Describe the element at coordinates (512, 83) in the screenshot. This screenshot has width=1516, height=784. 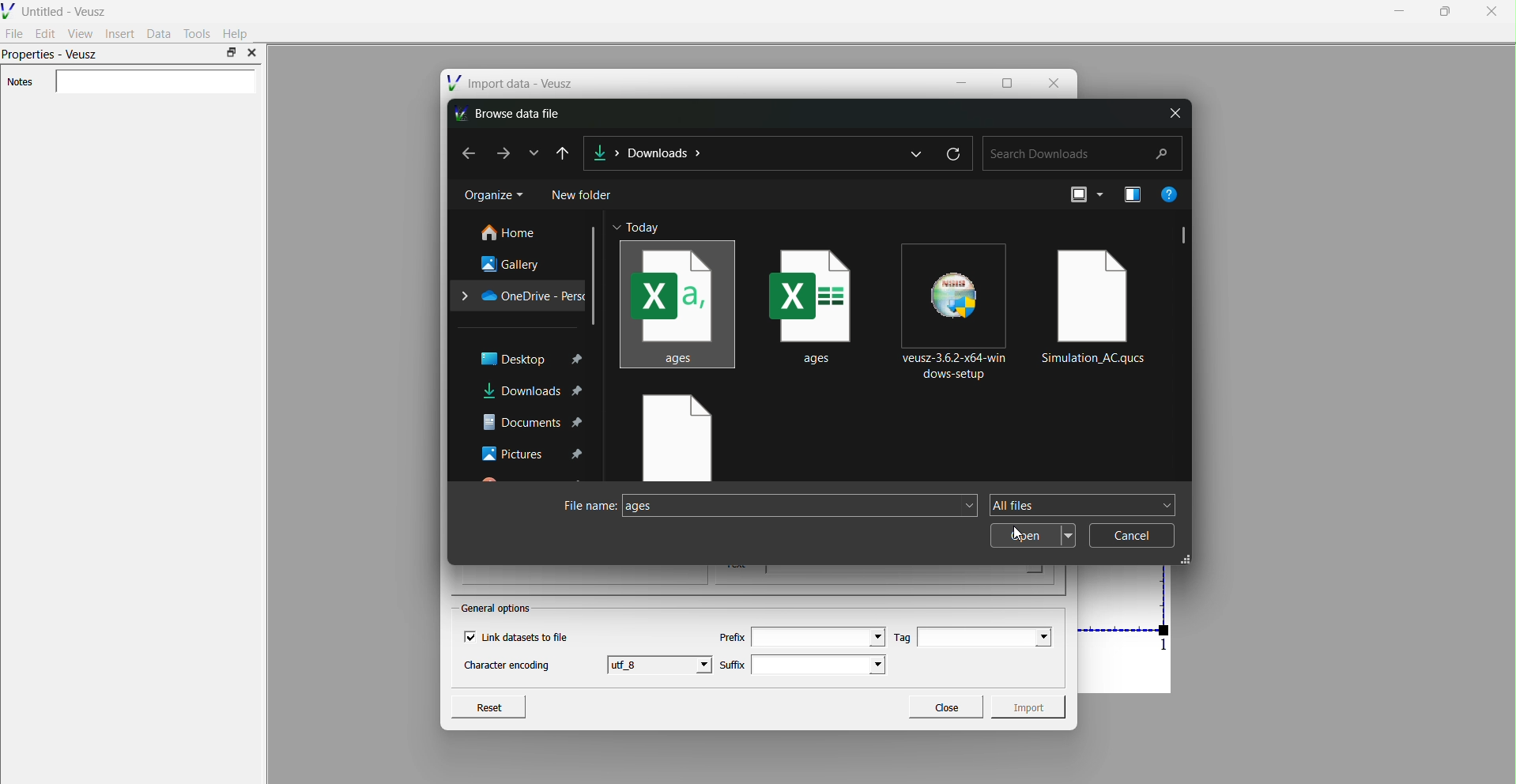
I see `Import data - Veusz` at that location.